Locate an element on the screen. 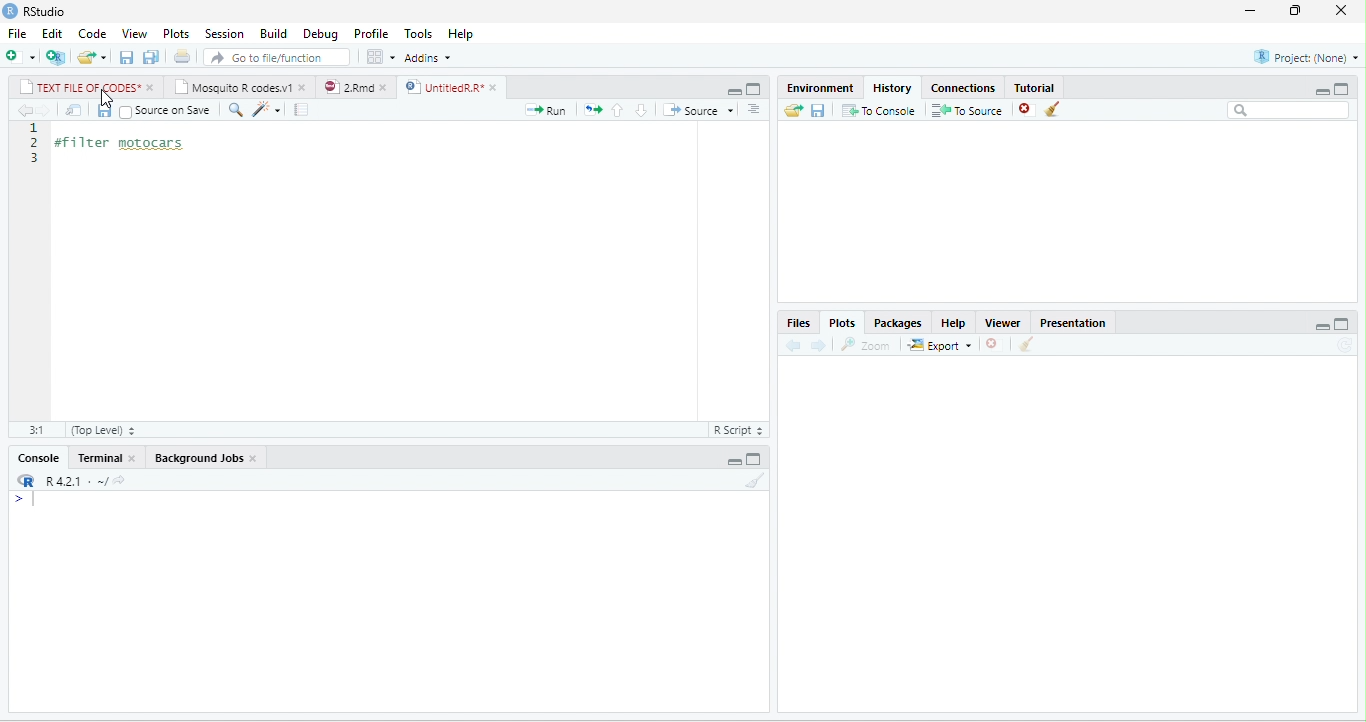 This screenshot has width=1366, height=722. Source on Save is located at coordinates (166, 112).